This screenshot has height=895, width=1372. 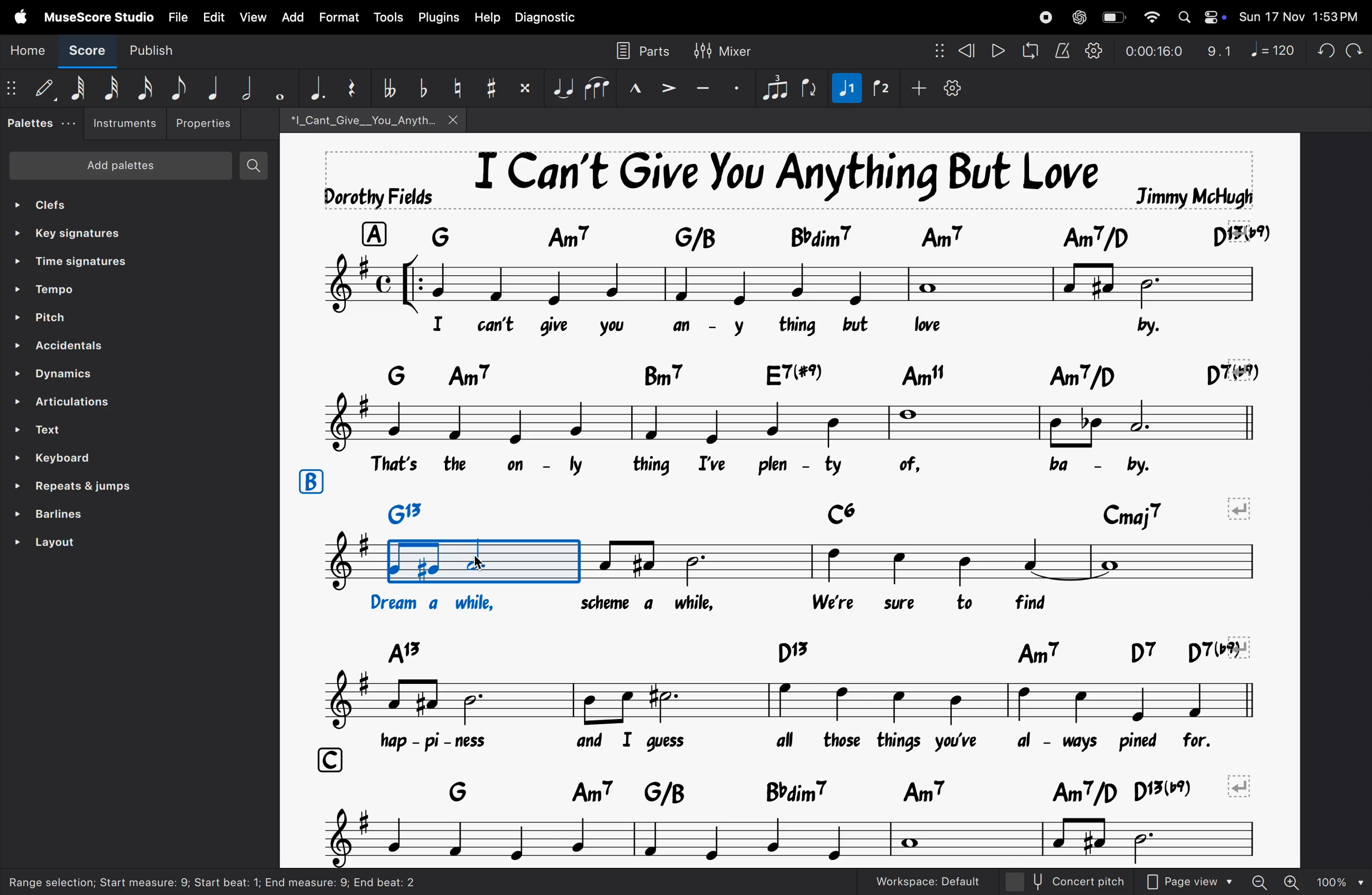 I want to click on voice 1, so click(x=883, y=88).